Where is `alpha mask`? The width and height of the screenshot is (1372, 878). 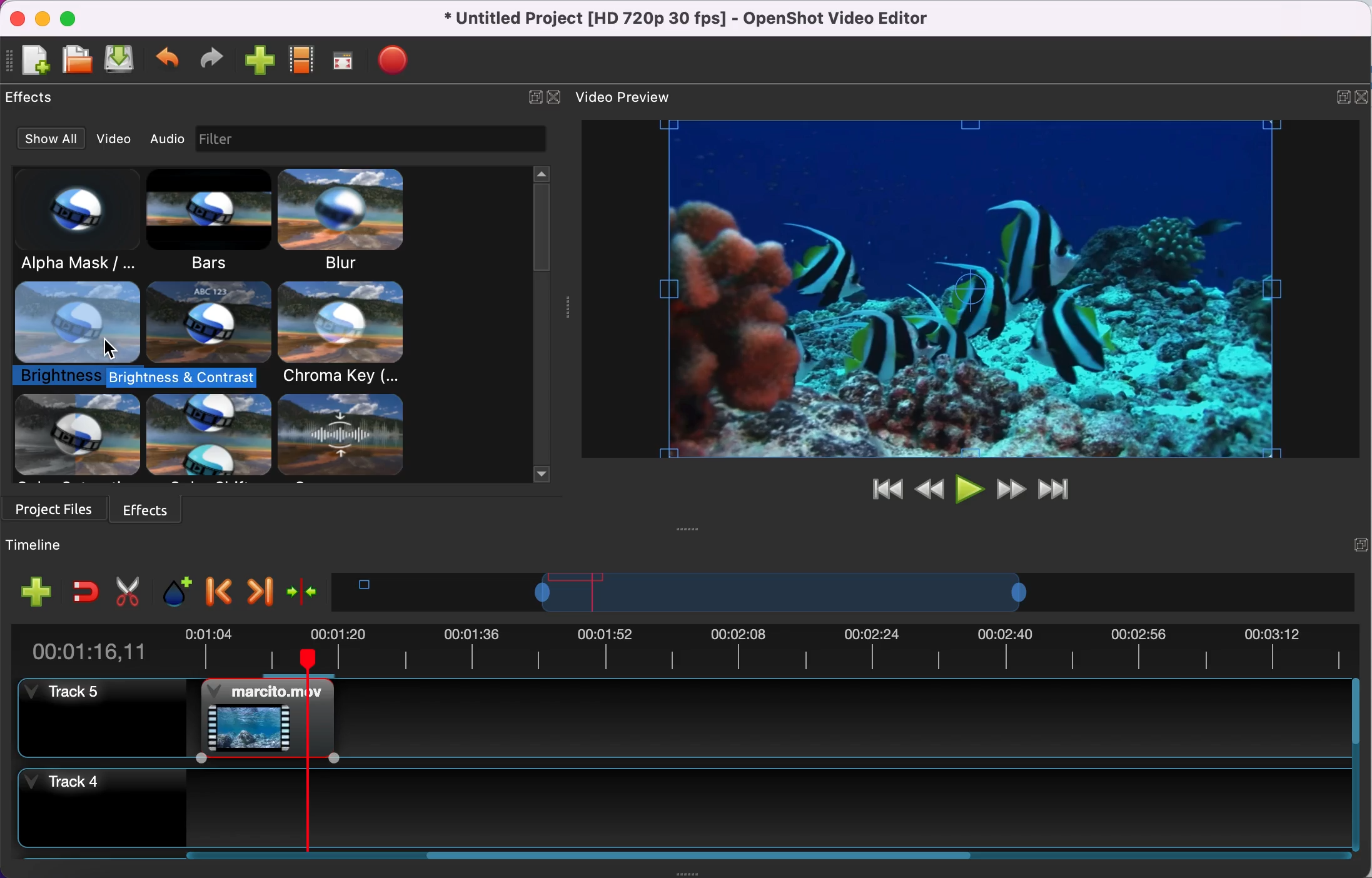
alpha mask is located at coordinates (79, 221).